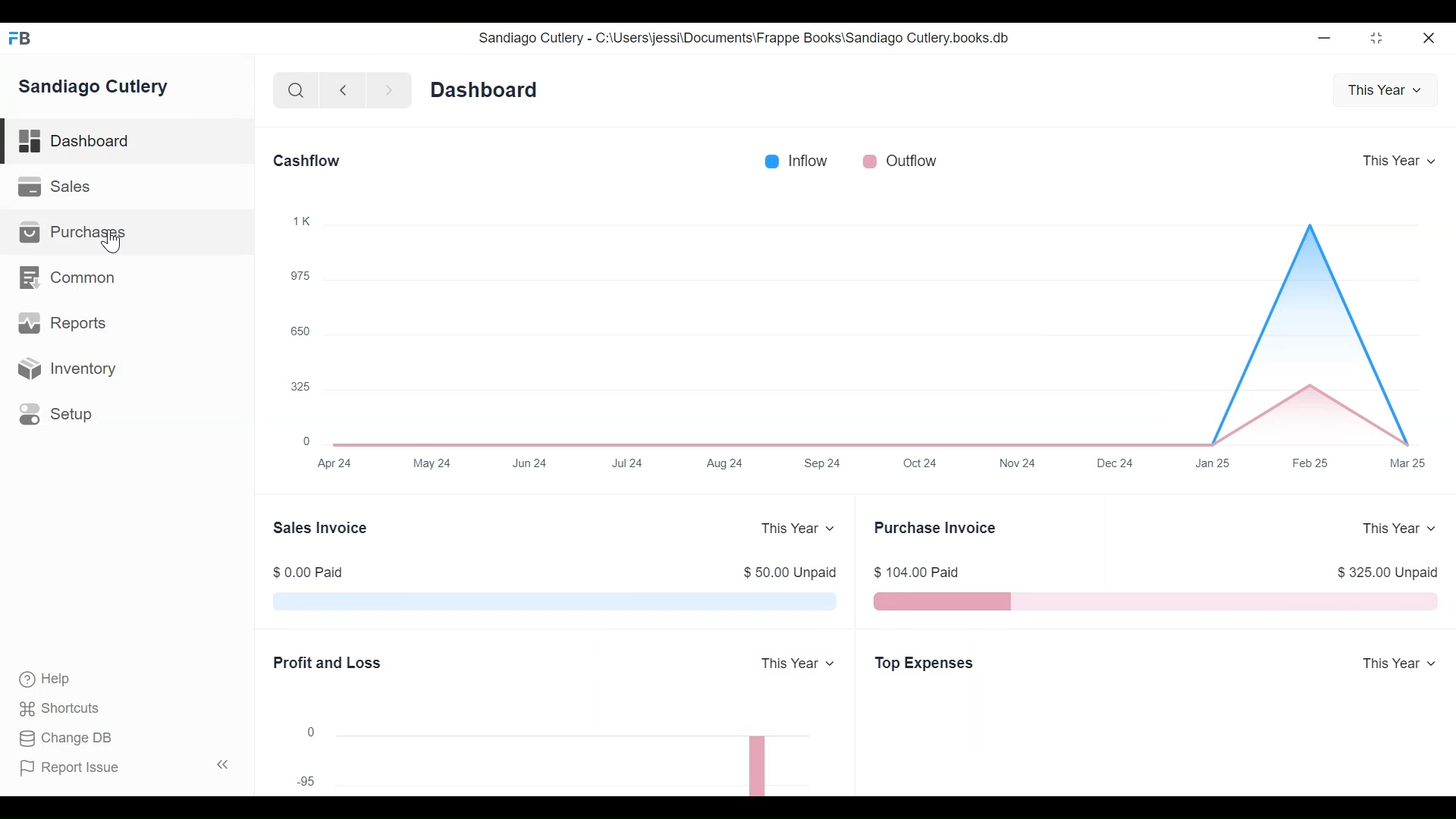 The image size is (1456, 819). I want to click on This Year , so click(800, 524).